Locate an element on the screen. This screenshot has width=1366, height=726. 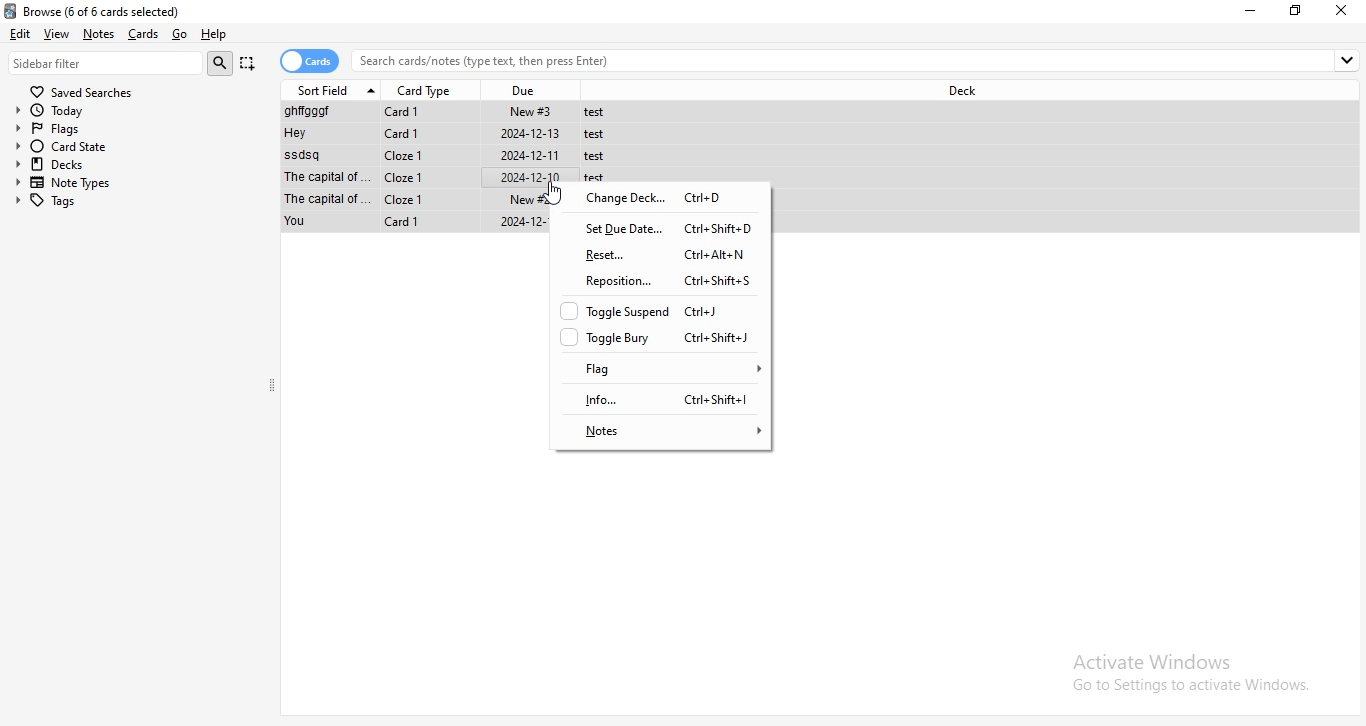
info is located at coordinates (662, 400).